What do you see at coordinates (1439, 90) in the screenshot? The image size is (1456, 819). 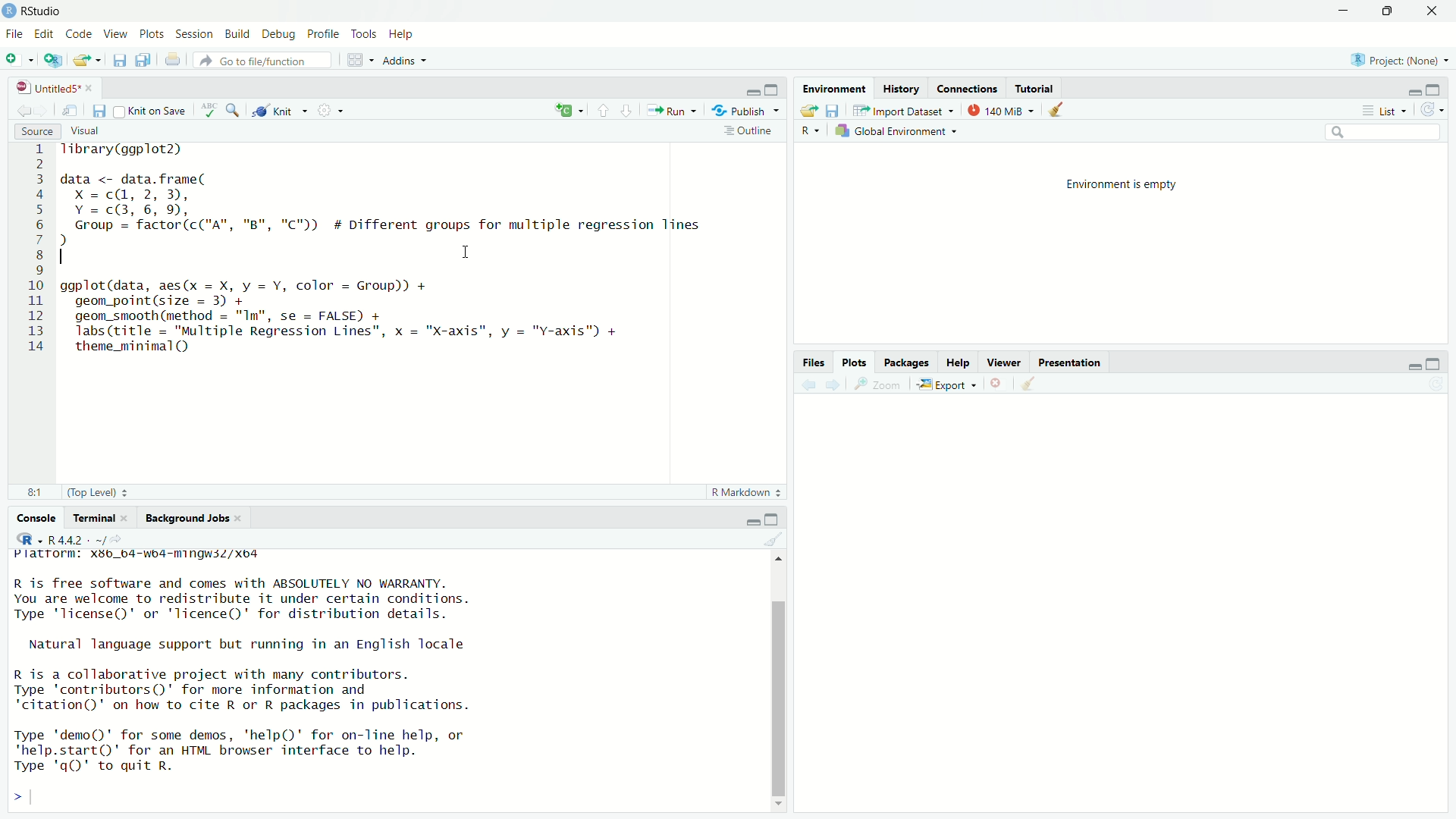 I see `maximise` at bounding box center [1439, 90].